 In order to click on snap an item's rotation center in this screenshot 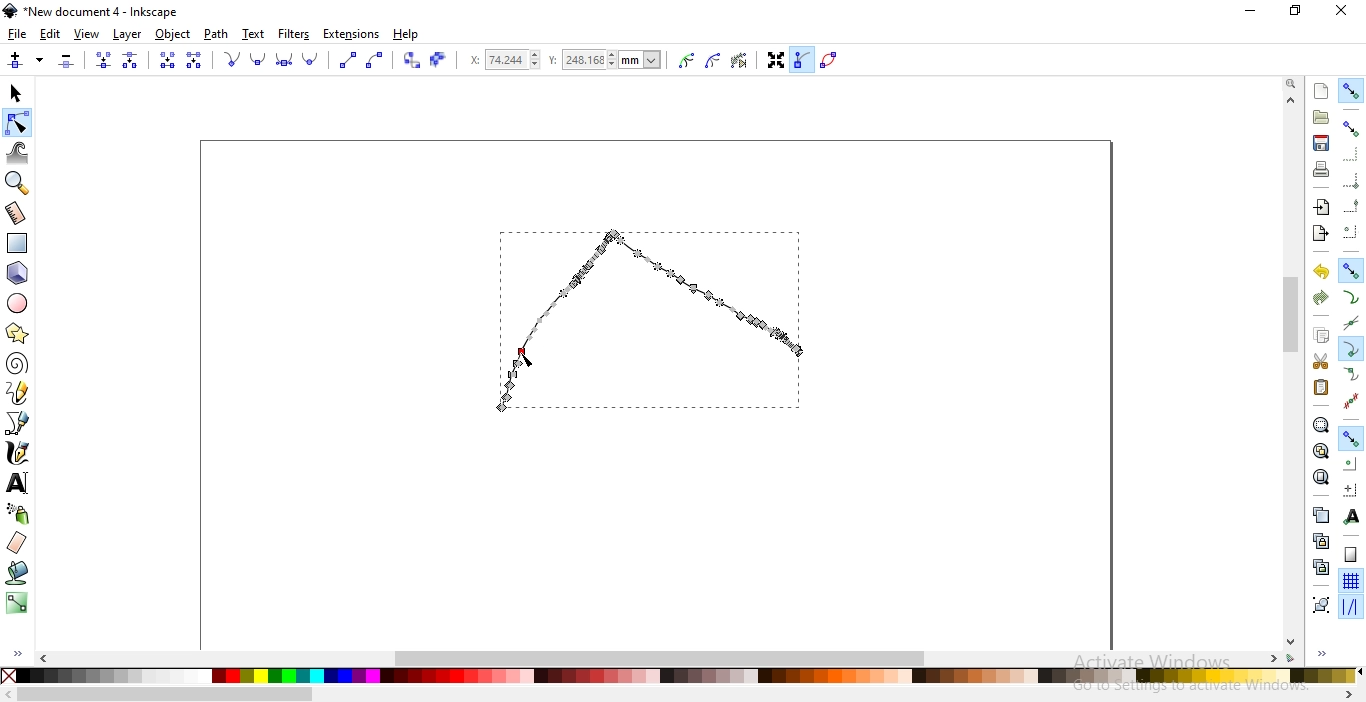, I will do `click(1350, 489)`.